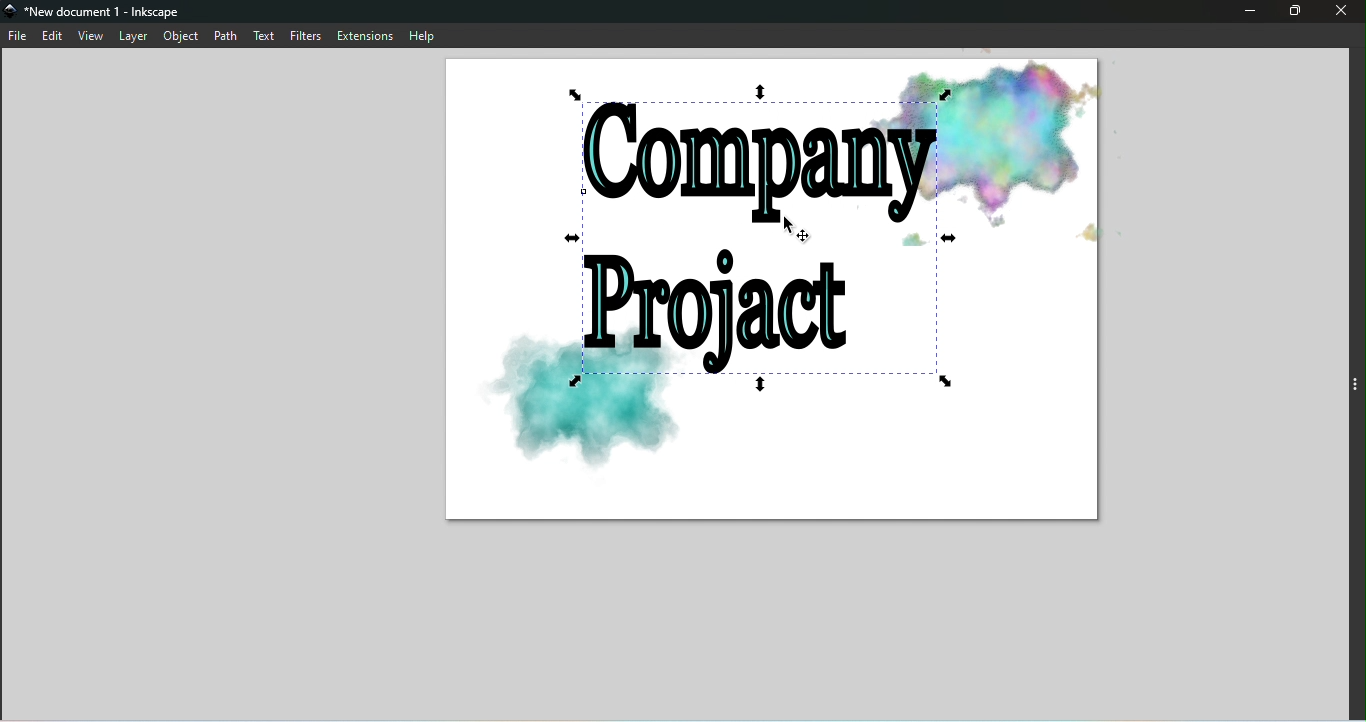 The height and width of the screenshot is (722, 1366). What do you see at coordinates (225, 35) in the screenshot?
I see `Path` at bounding box center [225, 35].